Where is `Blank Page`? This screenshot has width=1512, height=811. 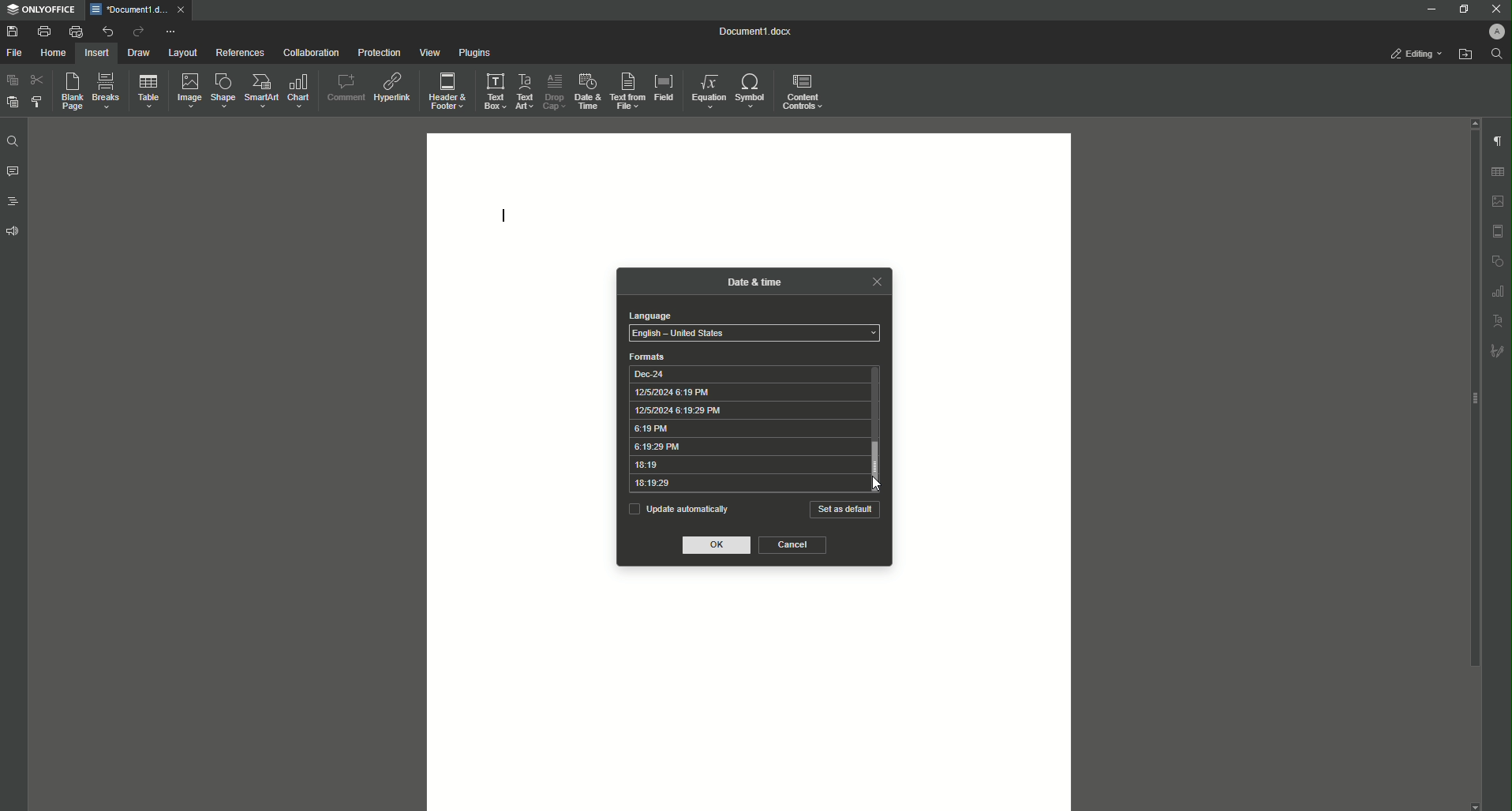 Blank Page is located at coordinates (68, 92).